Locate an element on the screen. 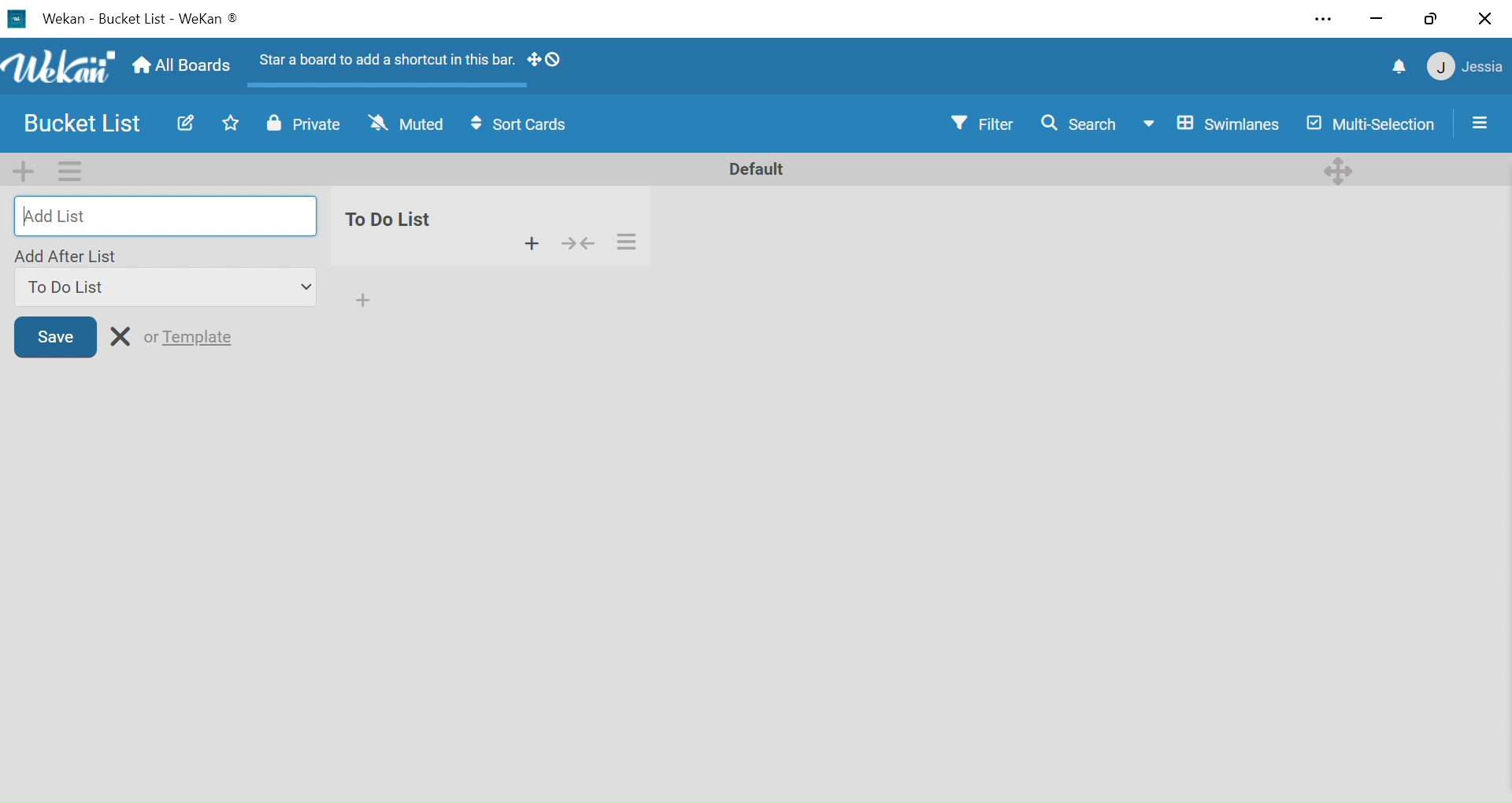  Edit is located at coordinates (183, 123).